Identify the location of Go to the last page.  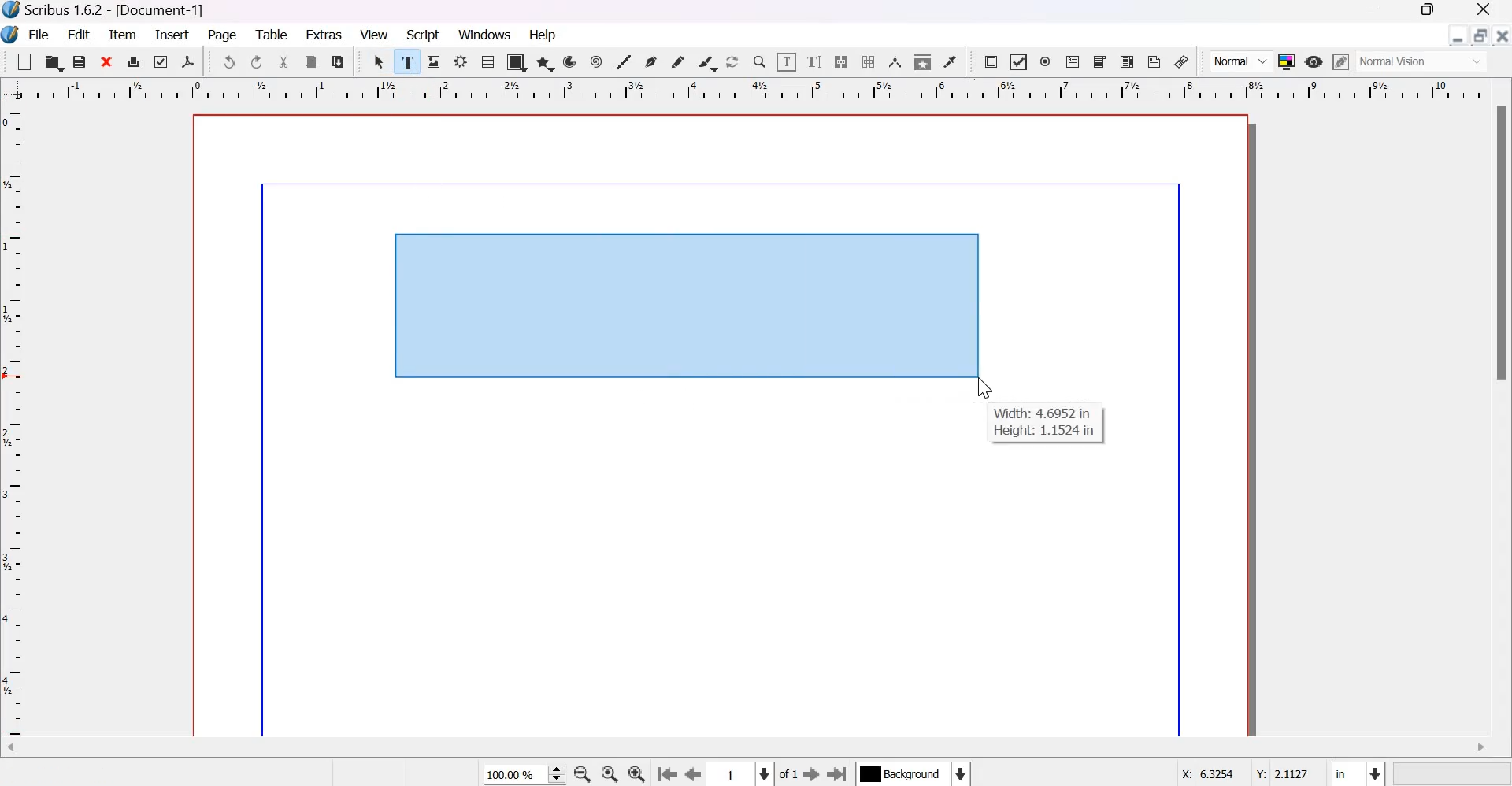
(838, 773).